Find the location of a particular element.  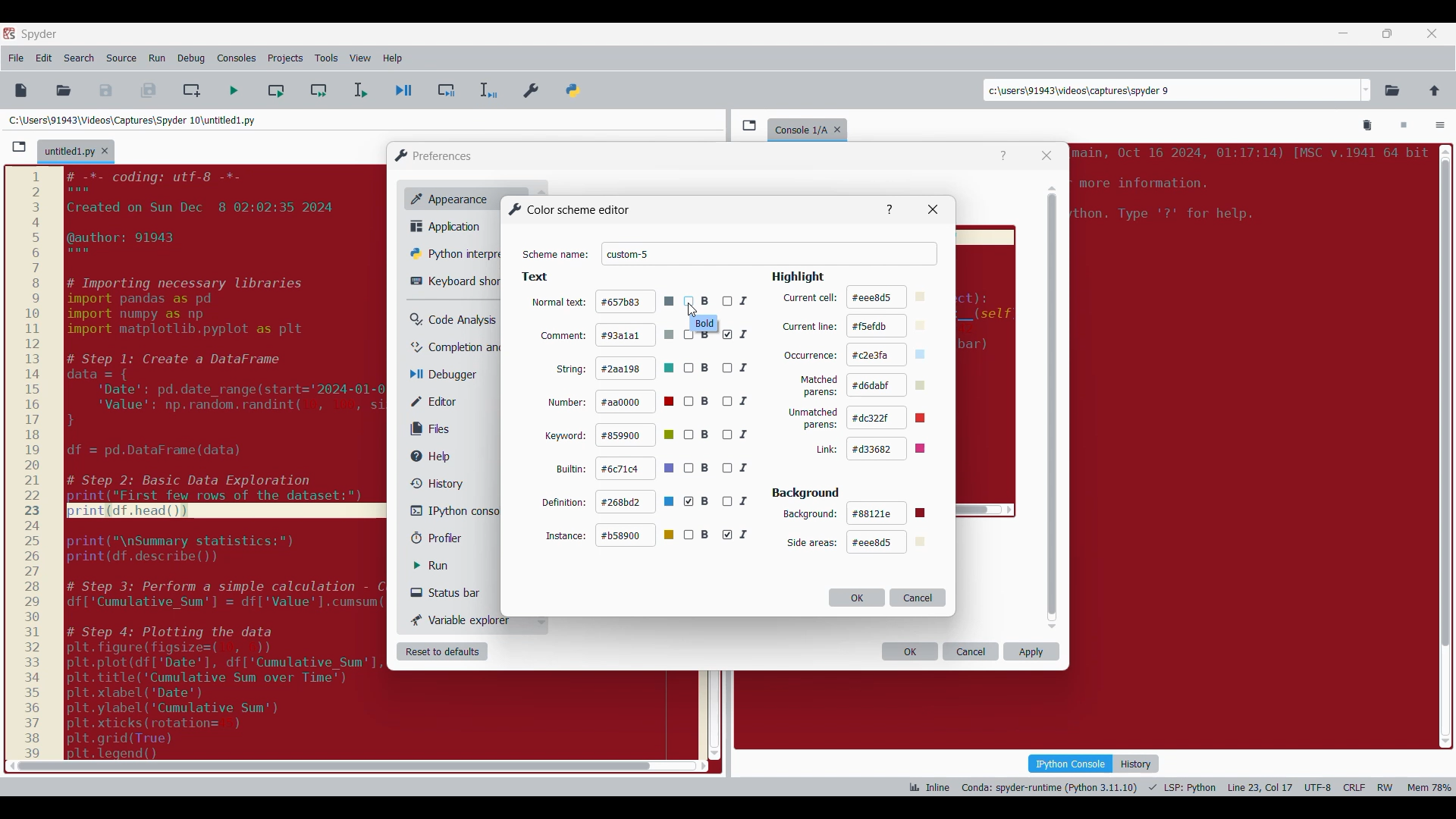

View menu is located at coordinates (360, 58).